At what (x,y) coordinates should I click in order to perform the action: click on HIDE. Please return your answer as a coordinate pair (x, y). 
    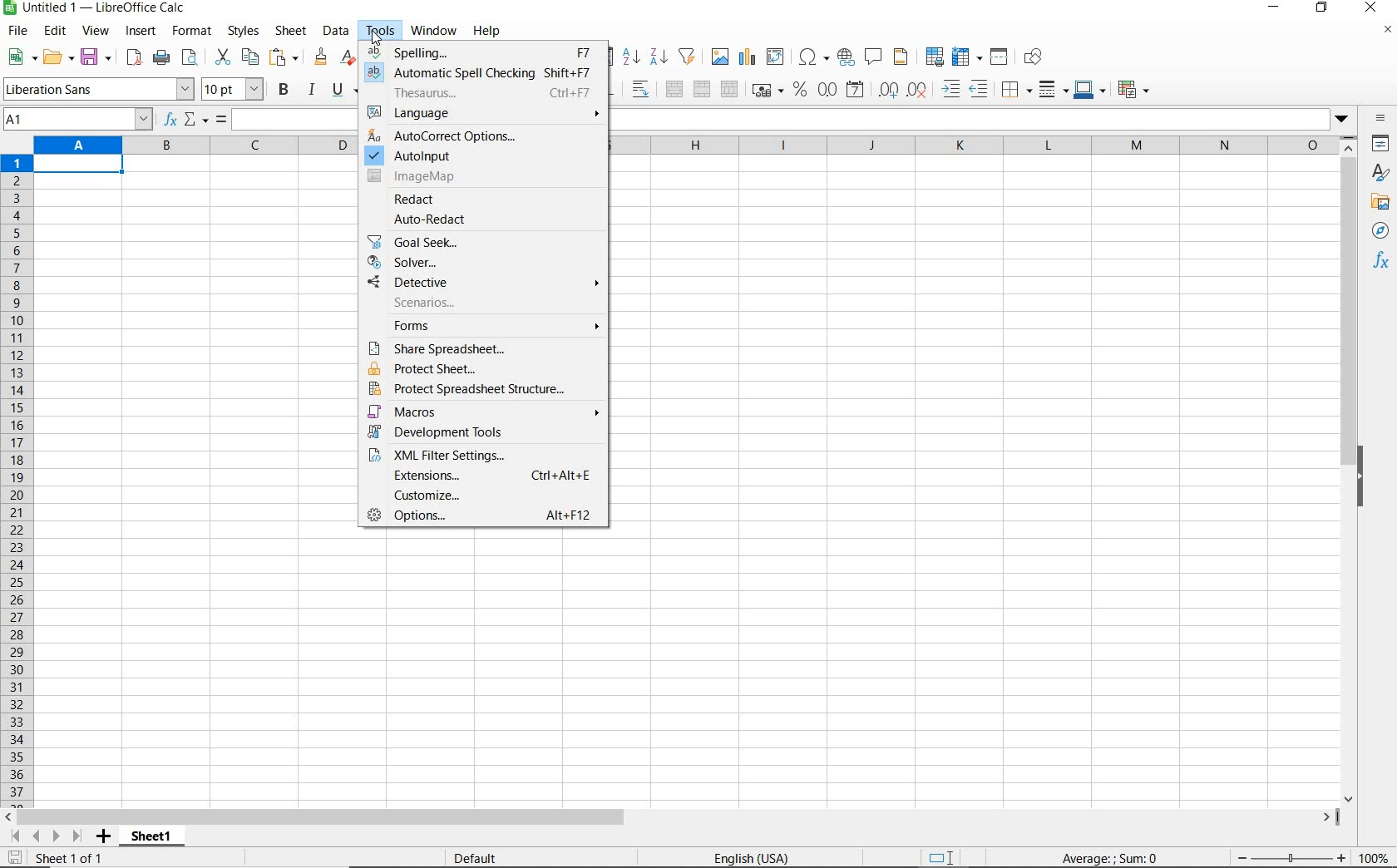
    Looking at the image, I should click on (1360, 476).